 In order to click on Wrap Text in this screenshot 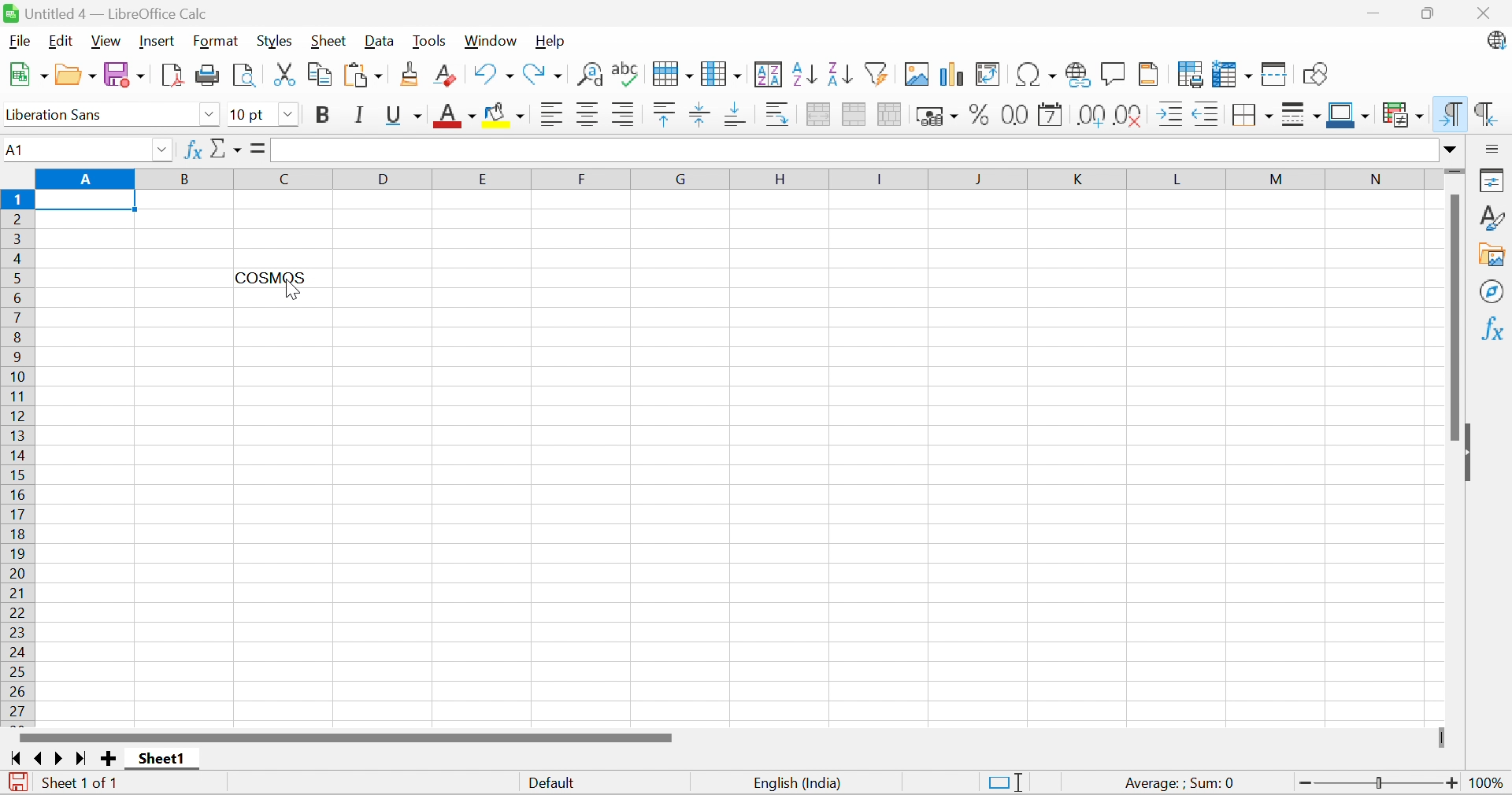, I will do `click(778, 113)`.